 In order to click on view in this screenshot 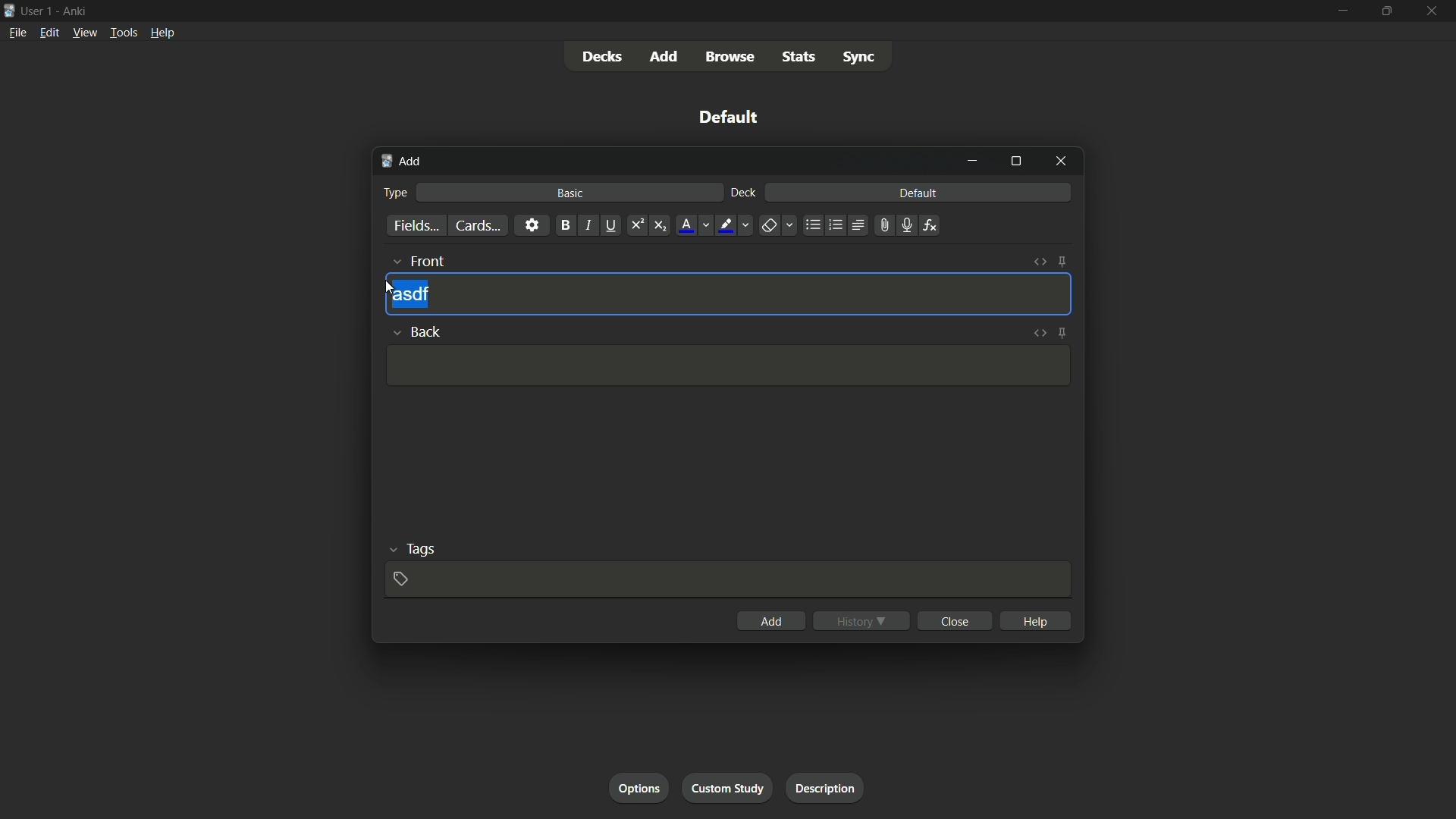, I will do `click(85, 33)`.